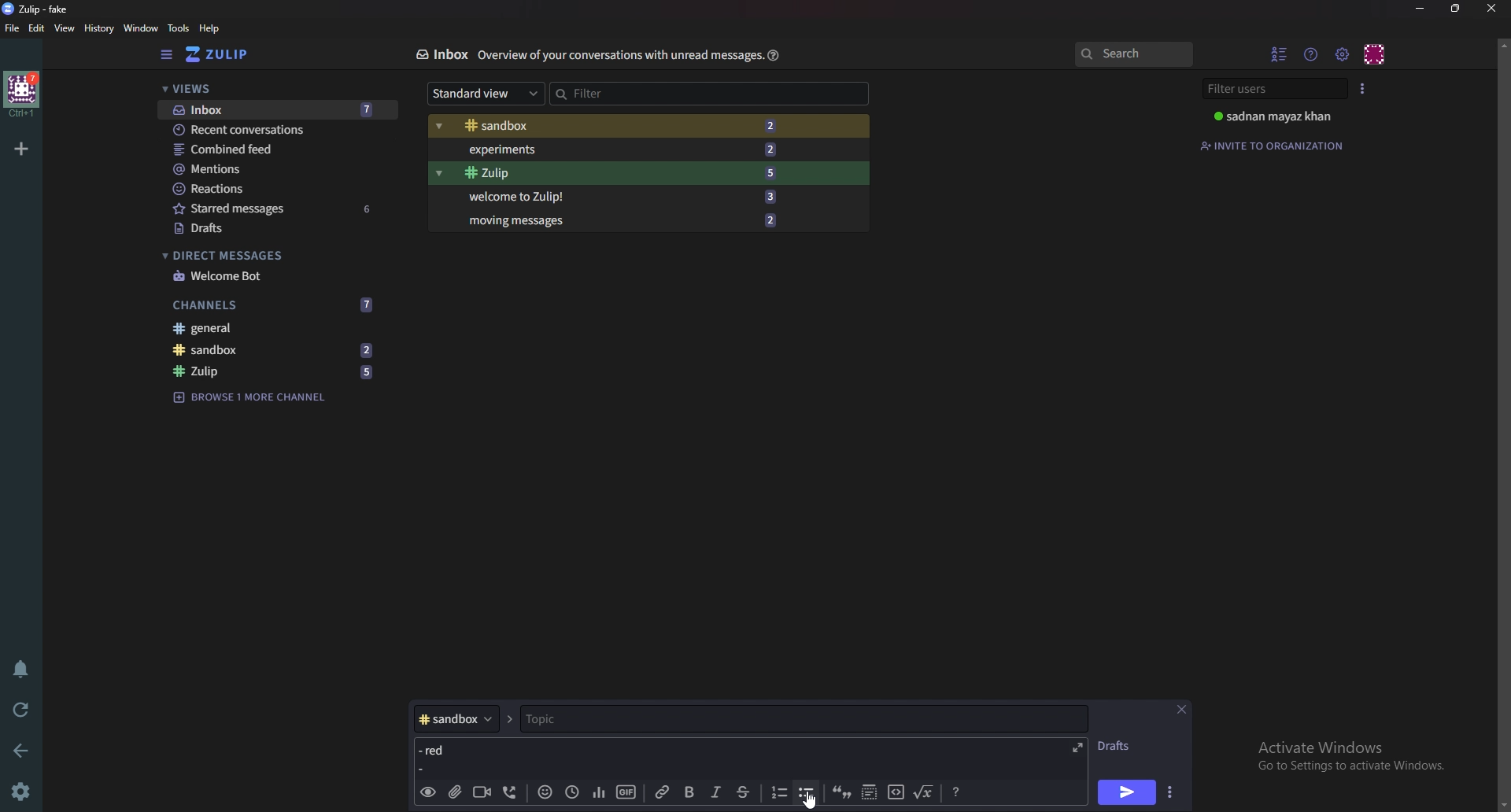 The width and height of the screenshot is (1511, 812). I want to click on Enable do not disturb, so click(24, 666).